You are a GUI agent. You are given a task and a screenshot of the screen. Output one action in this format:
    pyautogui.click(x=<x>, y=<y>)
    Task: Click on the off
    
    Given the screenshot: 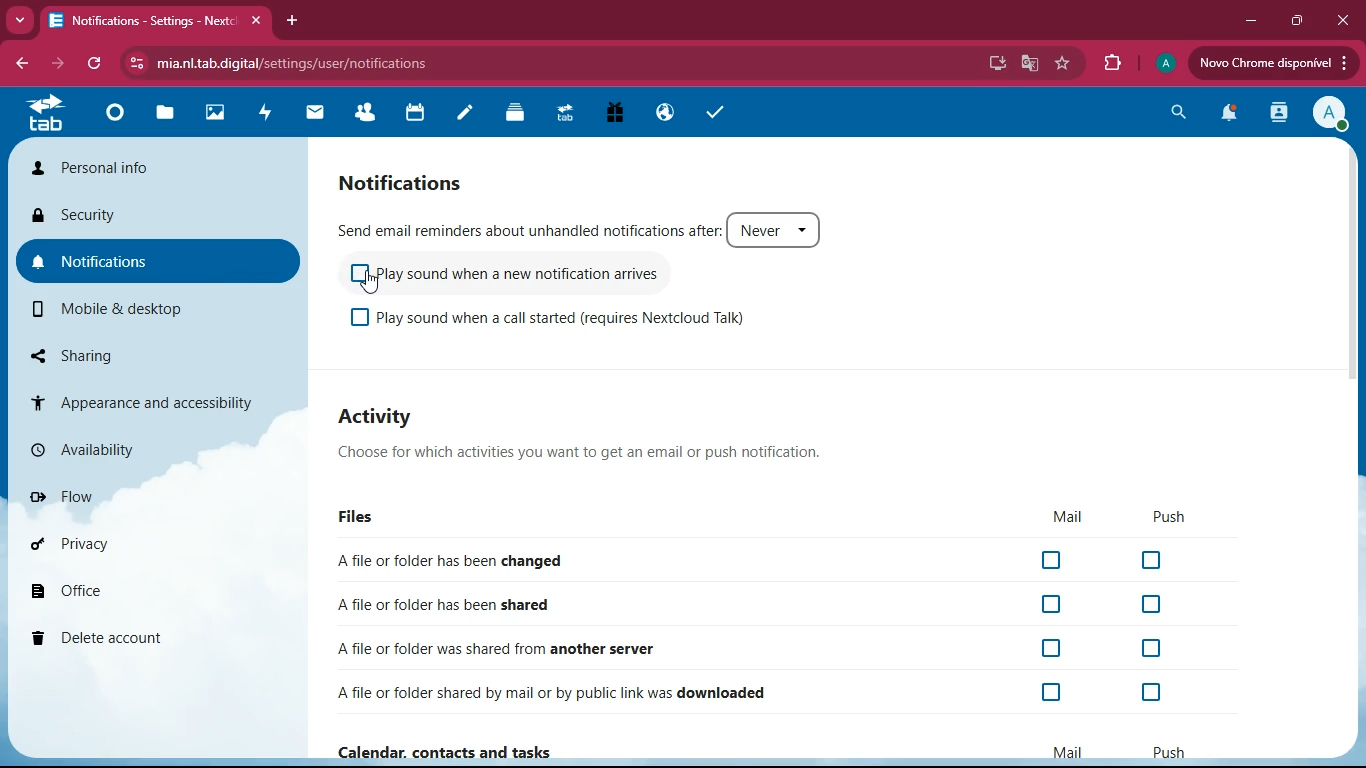 What is the action you would take?
    pyautogui.click(x=1056, y=605)
    